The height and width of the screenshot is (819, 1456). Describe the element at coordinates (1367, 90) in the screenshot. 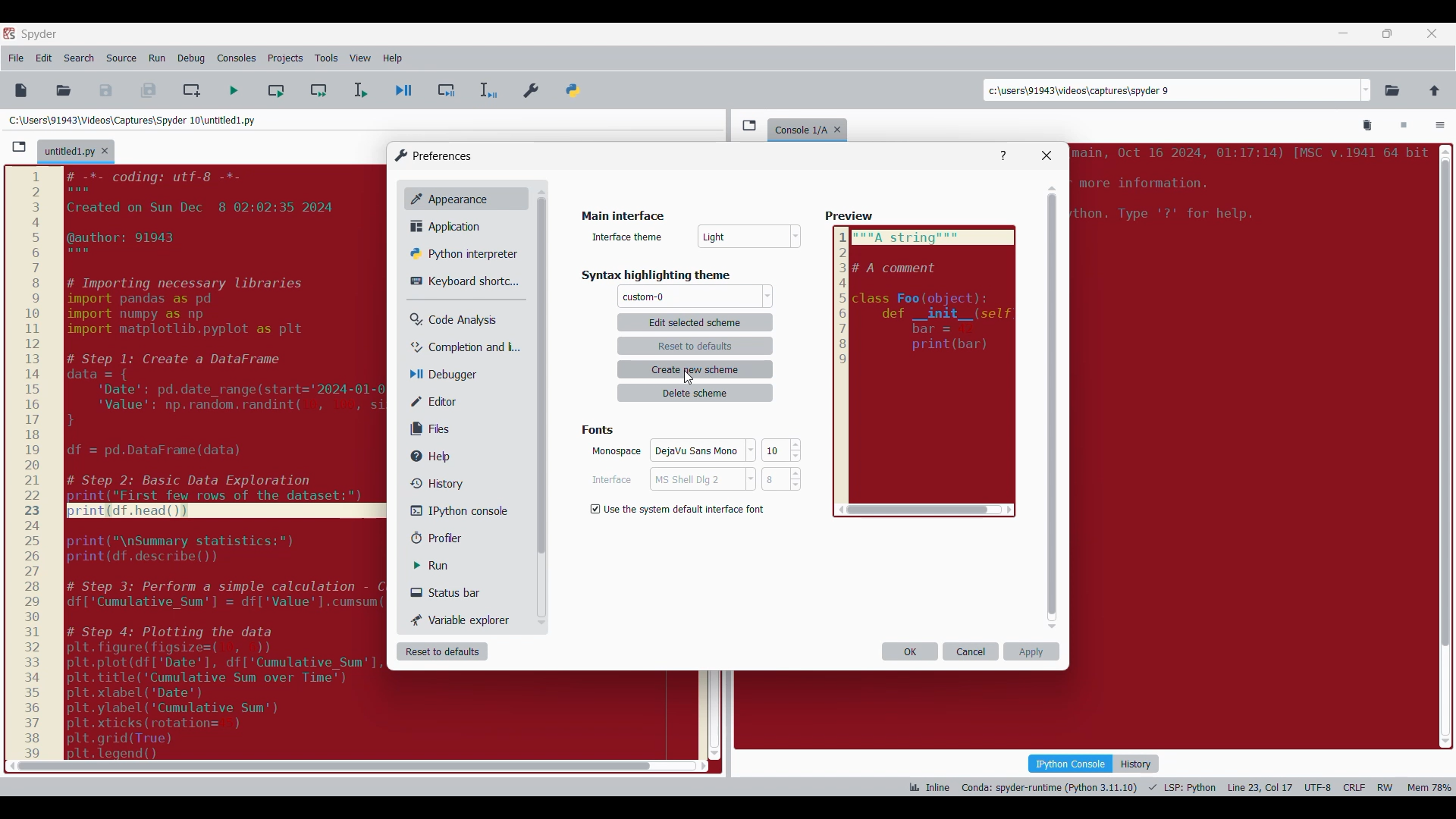

I see `Location options` at that location.